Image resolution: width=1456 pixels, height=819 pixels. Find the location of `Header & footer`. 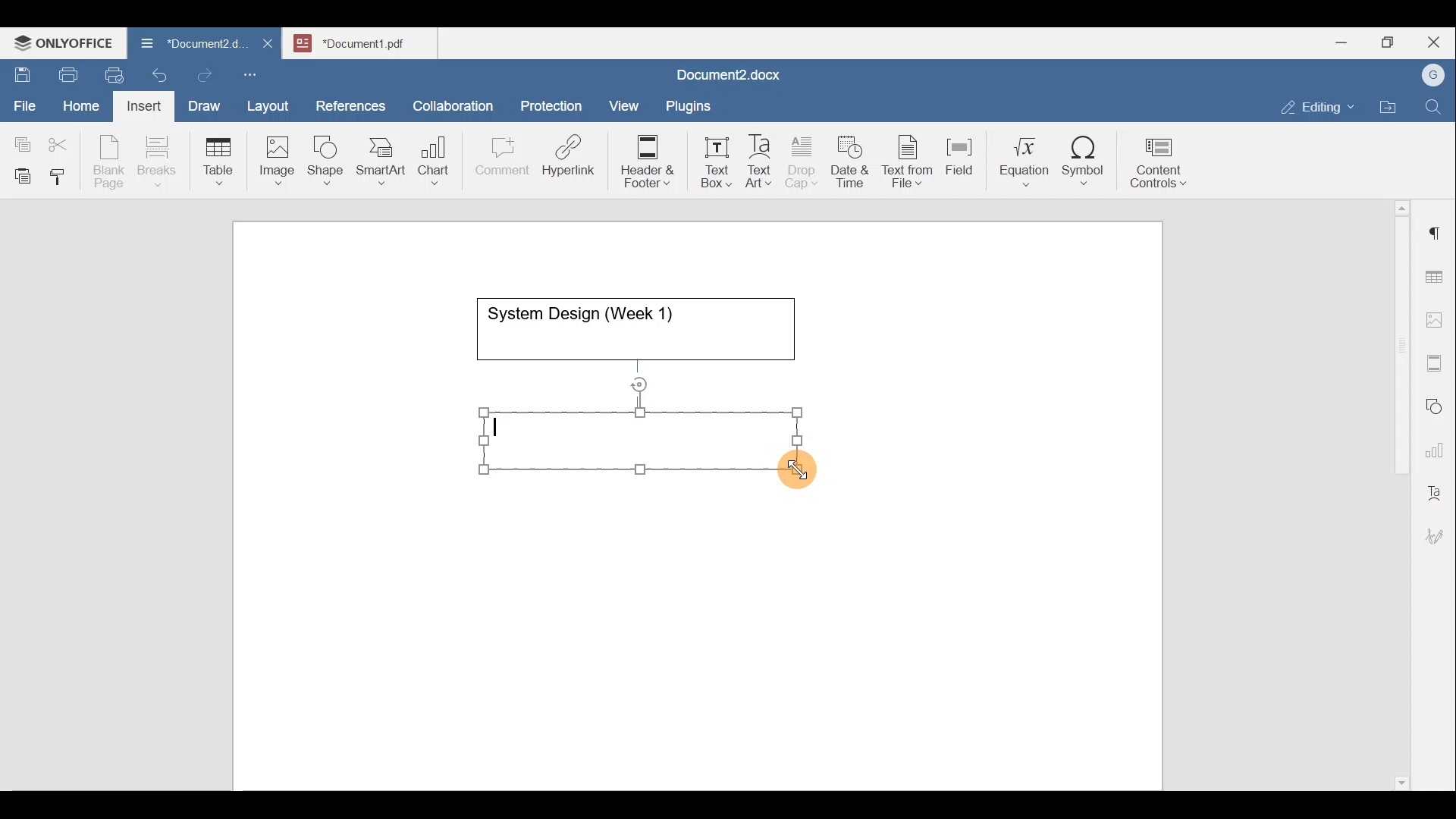

Header & footer is located at coordinates (642, 160).